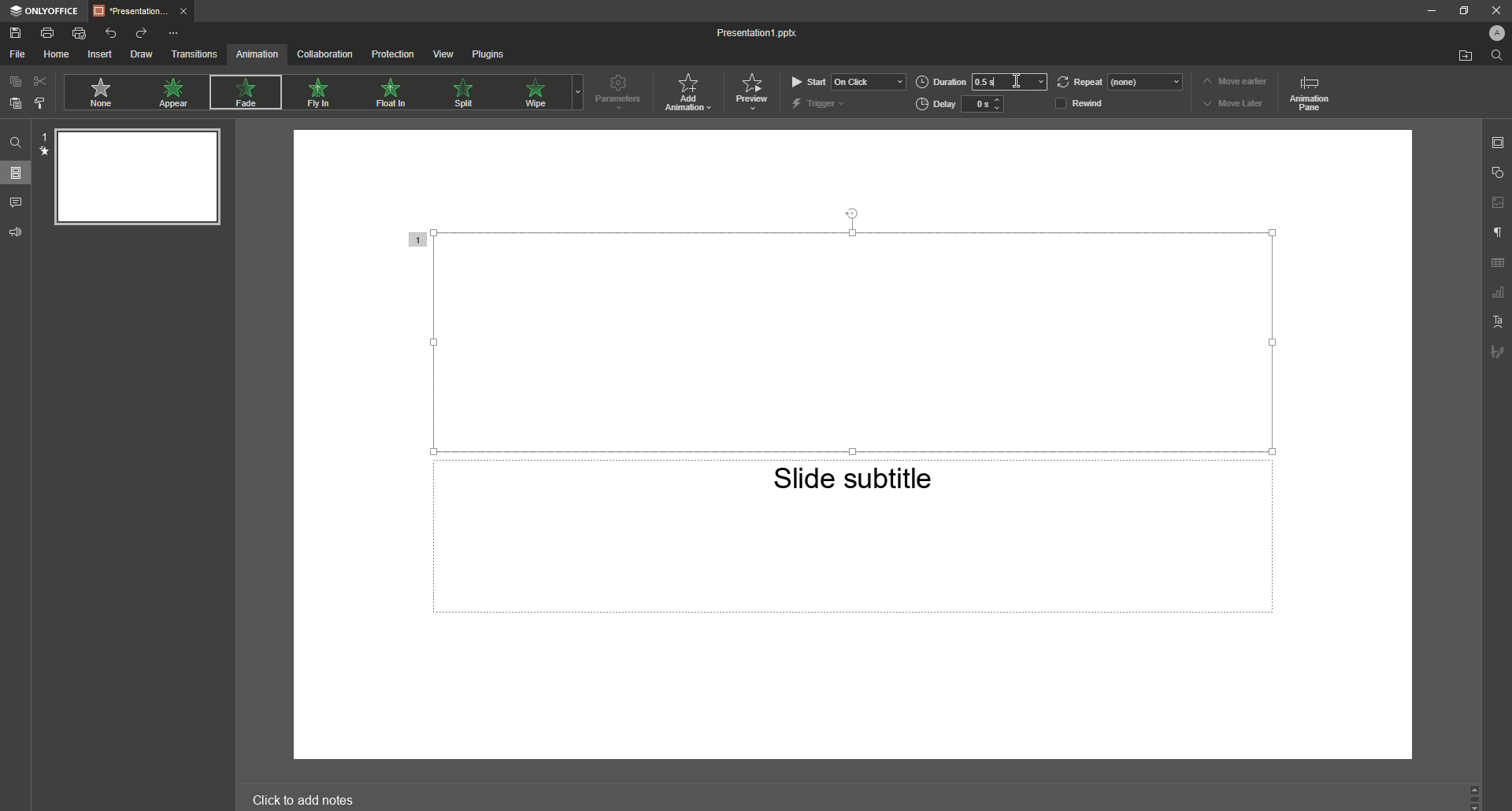 The width and height of the screenshot is (1512, 811). I want to click on None, so click(100, 94).